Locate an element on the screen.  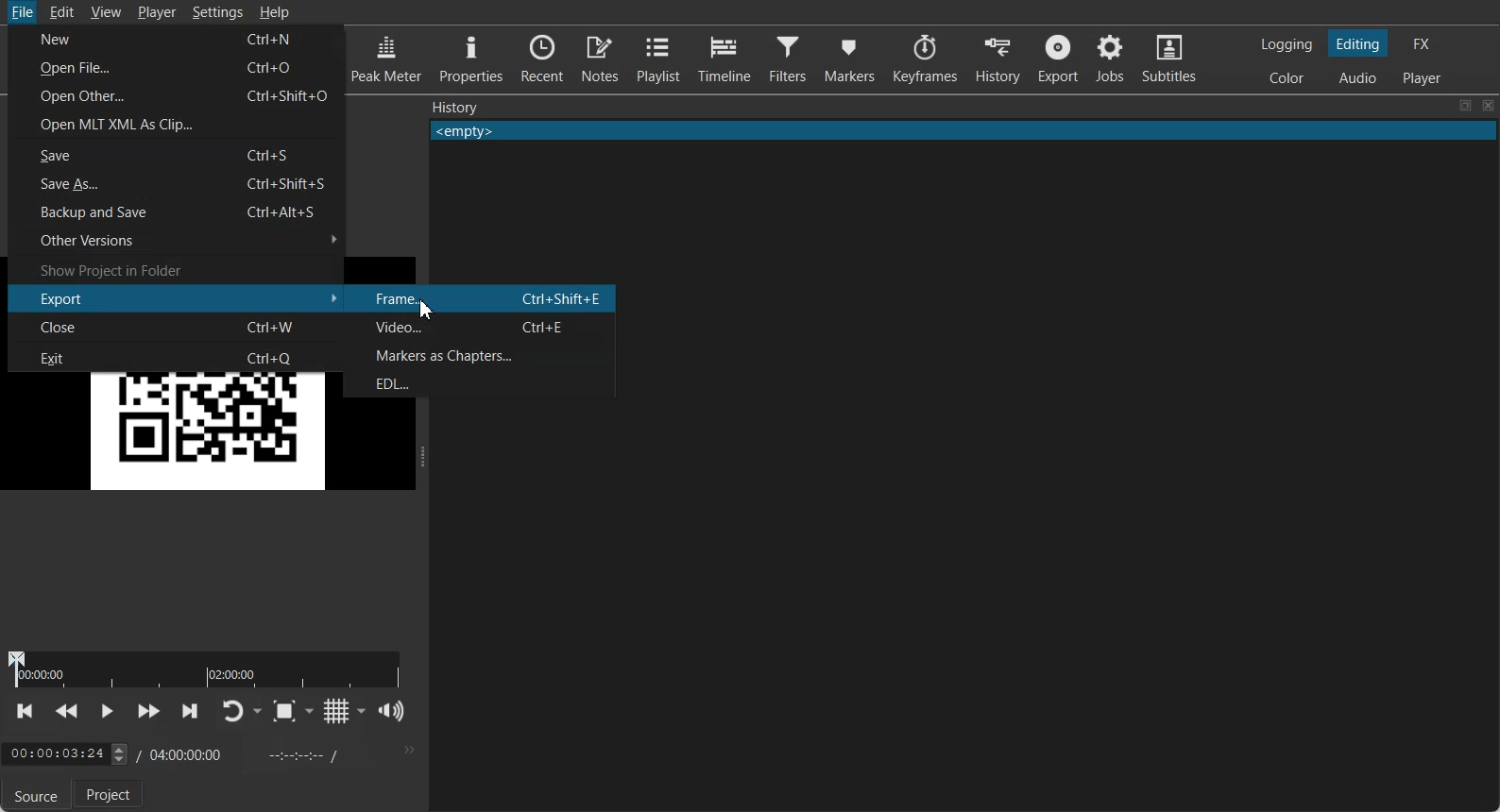
Markers as Chapters is located at coordinates (483, 355).